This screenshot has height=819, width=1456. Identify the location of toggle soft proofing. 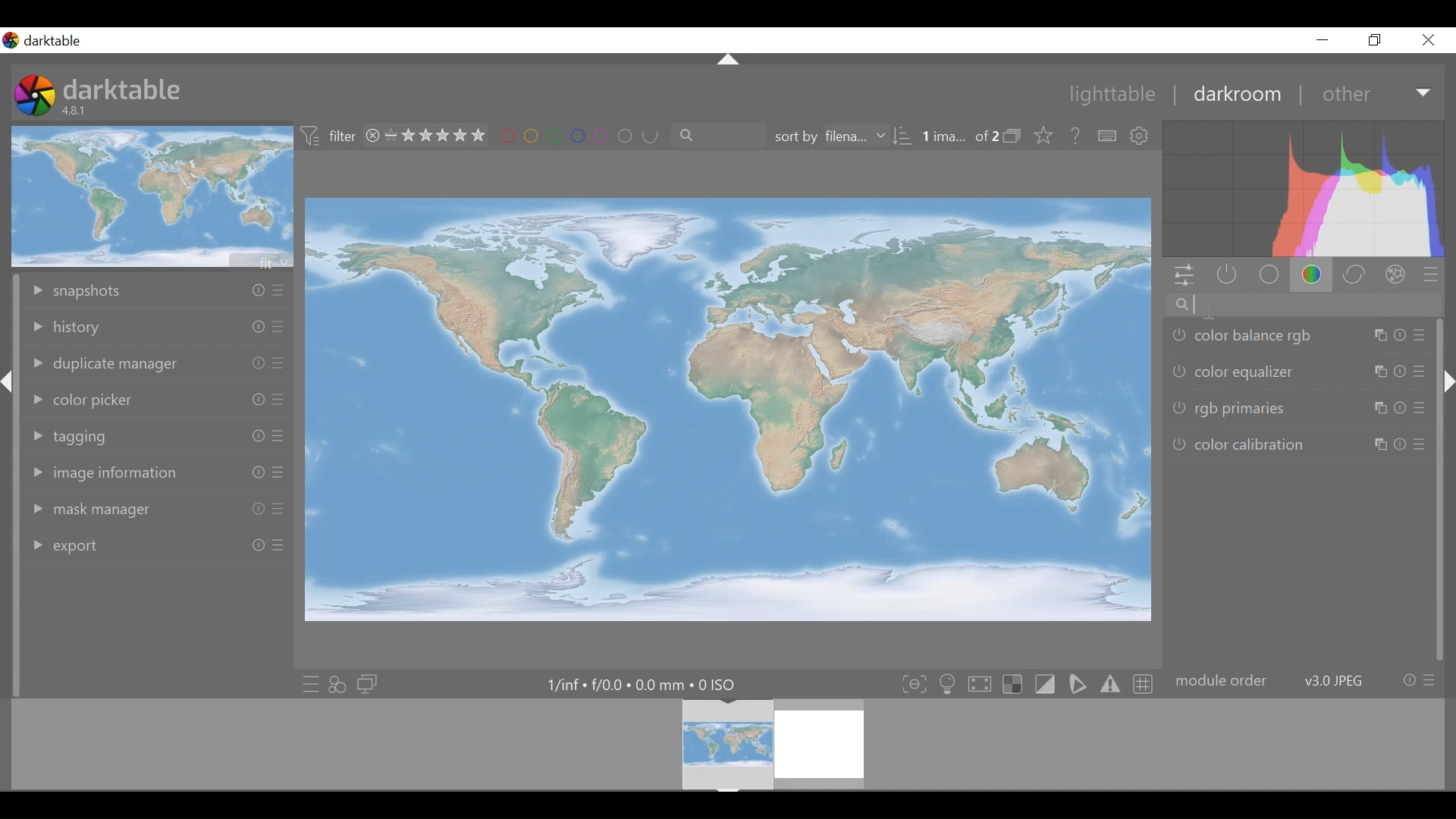
(1077, 685).